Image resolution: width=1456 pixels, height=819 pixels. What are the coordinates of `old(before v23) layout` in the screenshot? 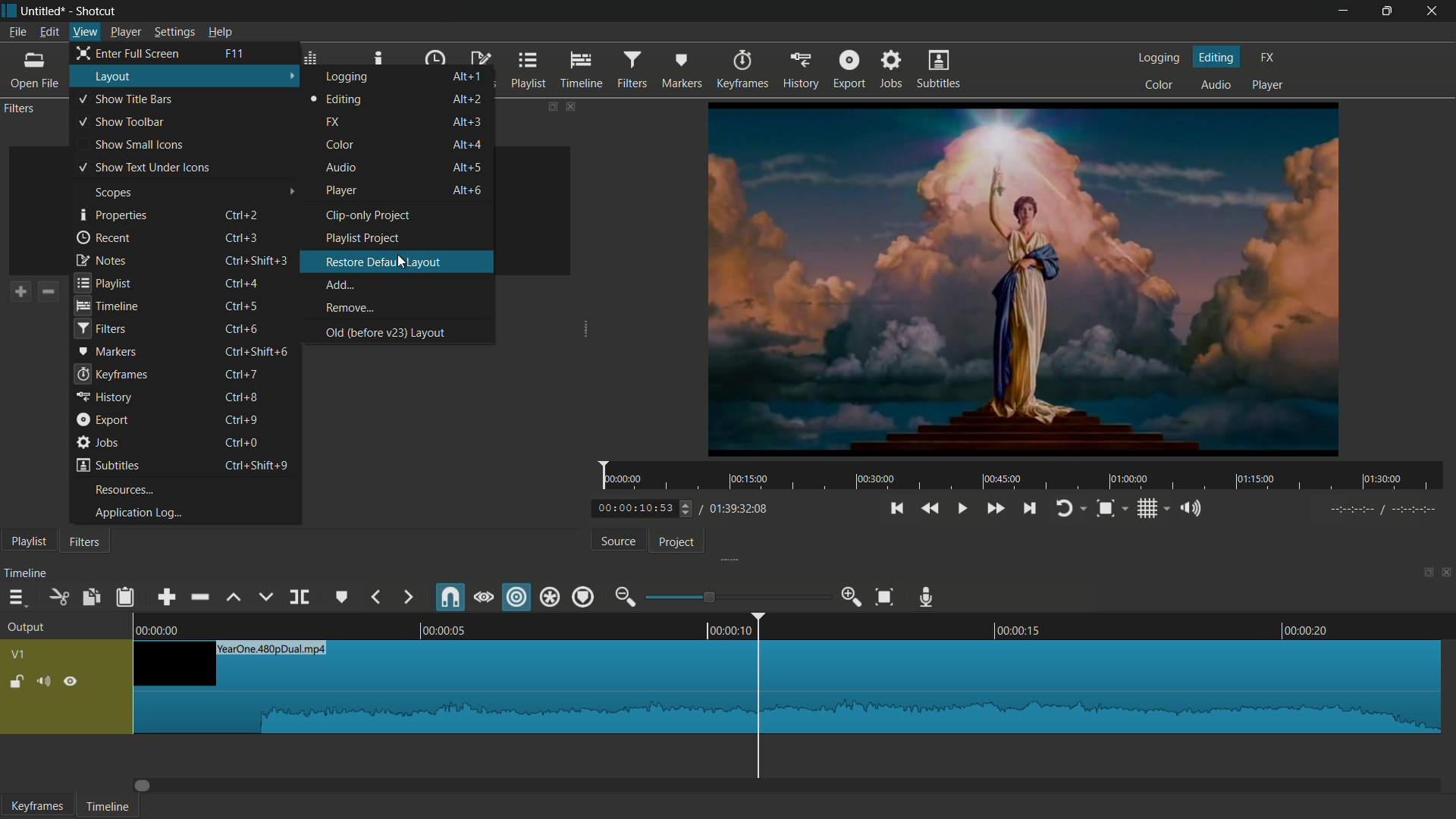 It's located at (384, 332).